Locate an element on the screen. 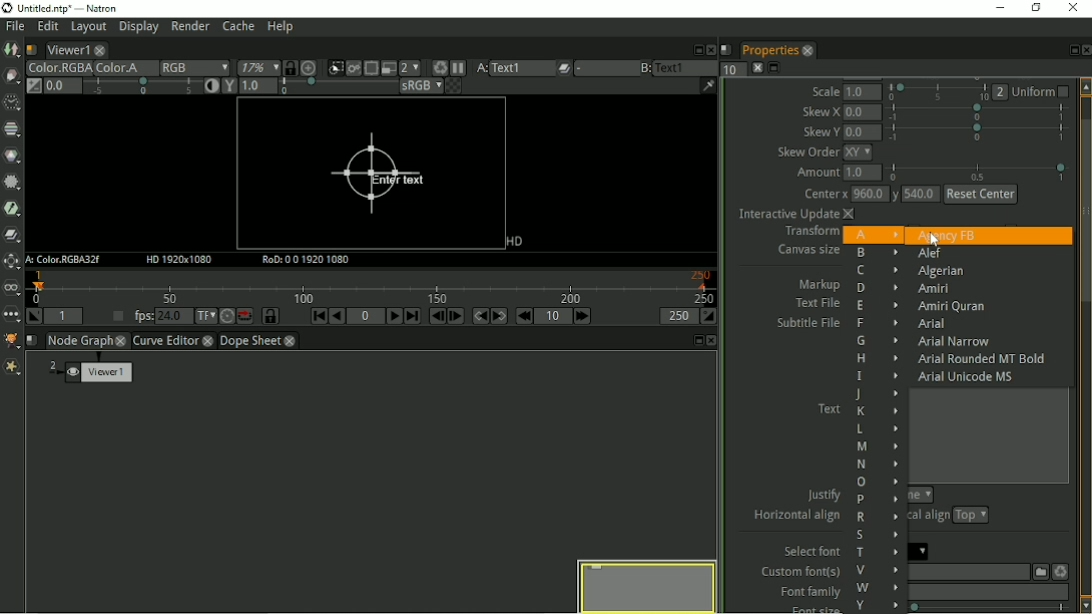  Set the playback in point at the current frame is located at coordinates (33, 316).